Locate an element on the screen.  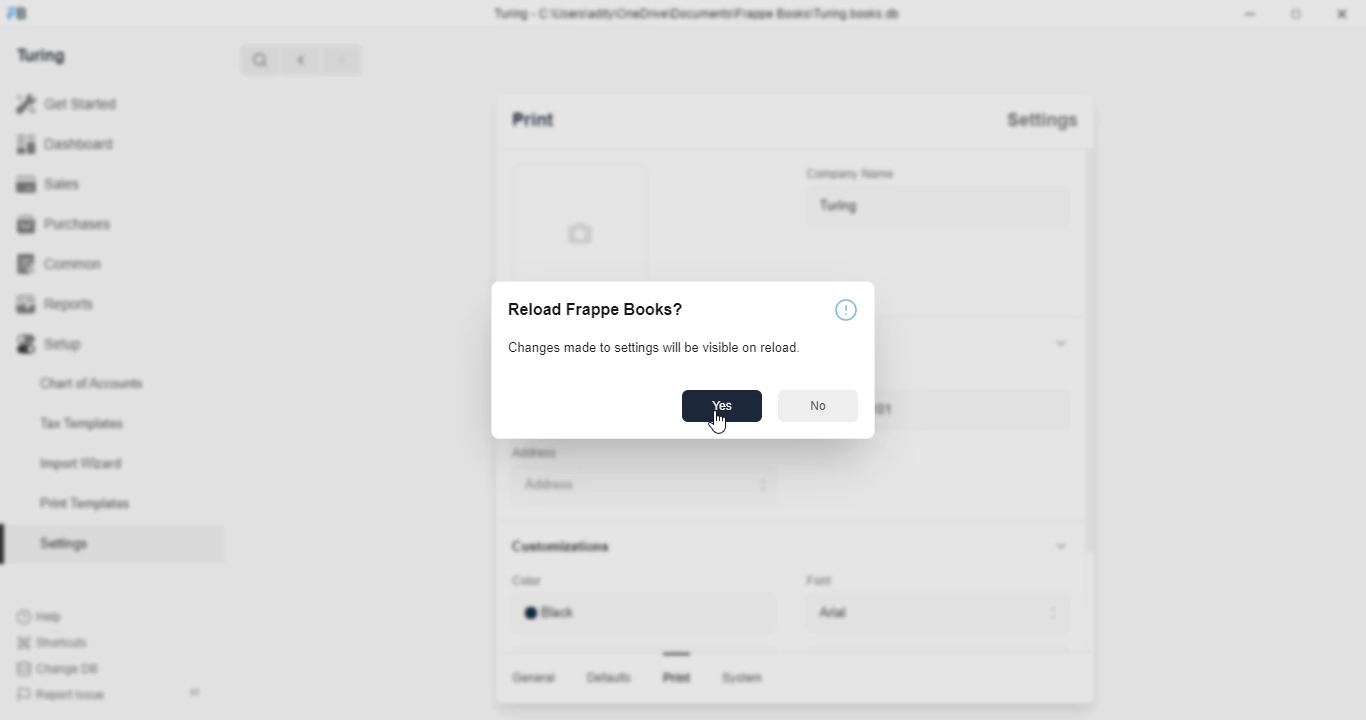
Adal is located at coordinates (941, 613).